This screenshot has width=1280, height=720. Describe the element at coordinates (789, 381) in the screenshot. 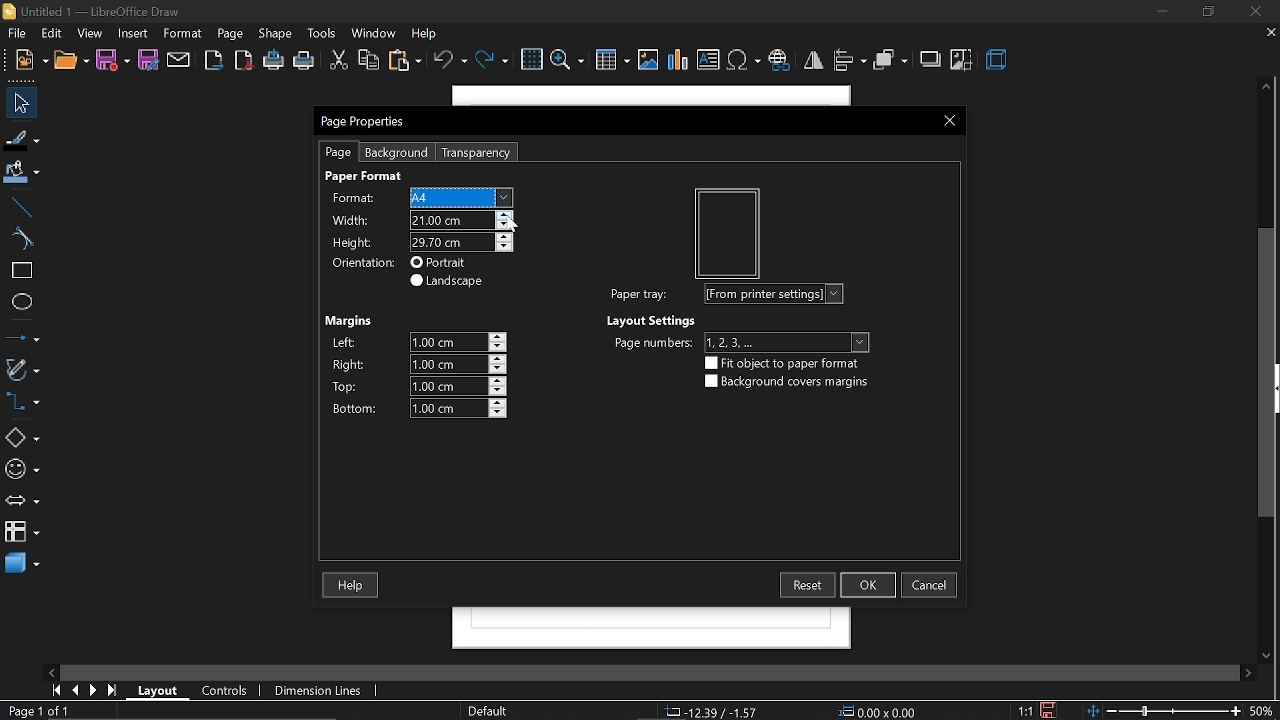

I see `background covers margin` at that location.